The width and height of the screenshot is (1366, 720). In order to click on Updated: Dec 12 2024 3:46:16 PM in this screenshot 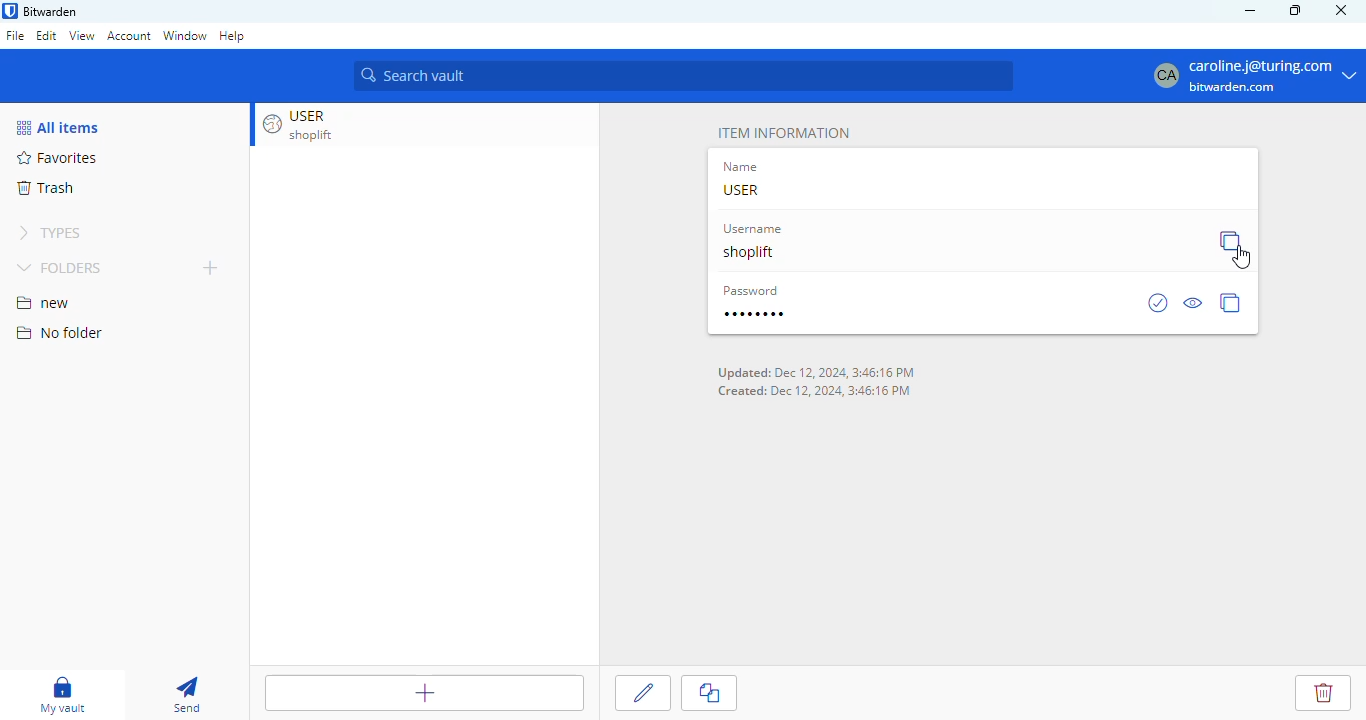, I will do `click(817, 373)`.